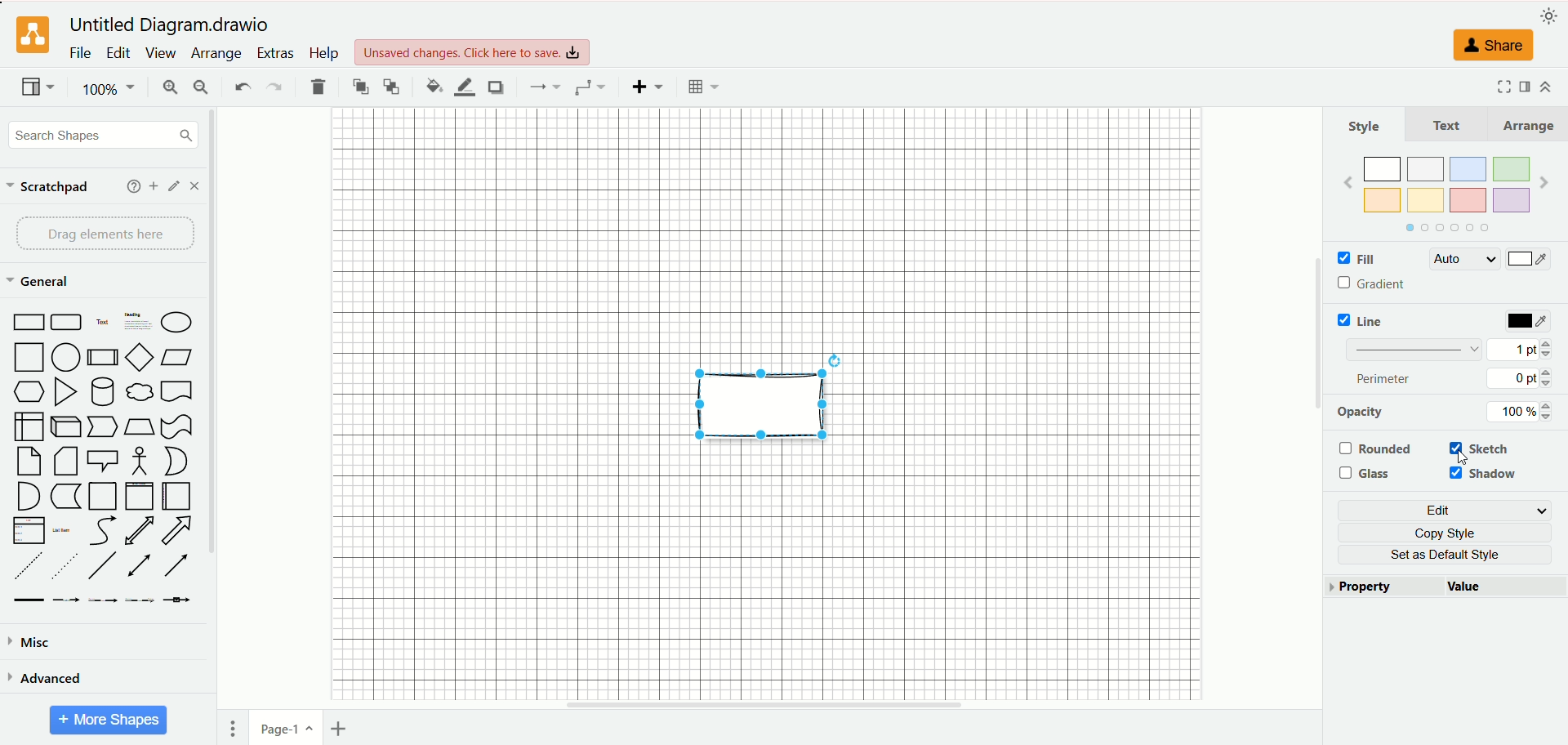 The image size is (1568, 745). Describe the element at coordinates (1385, 378) in the screenshot. I see `perimeter` at that location.